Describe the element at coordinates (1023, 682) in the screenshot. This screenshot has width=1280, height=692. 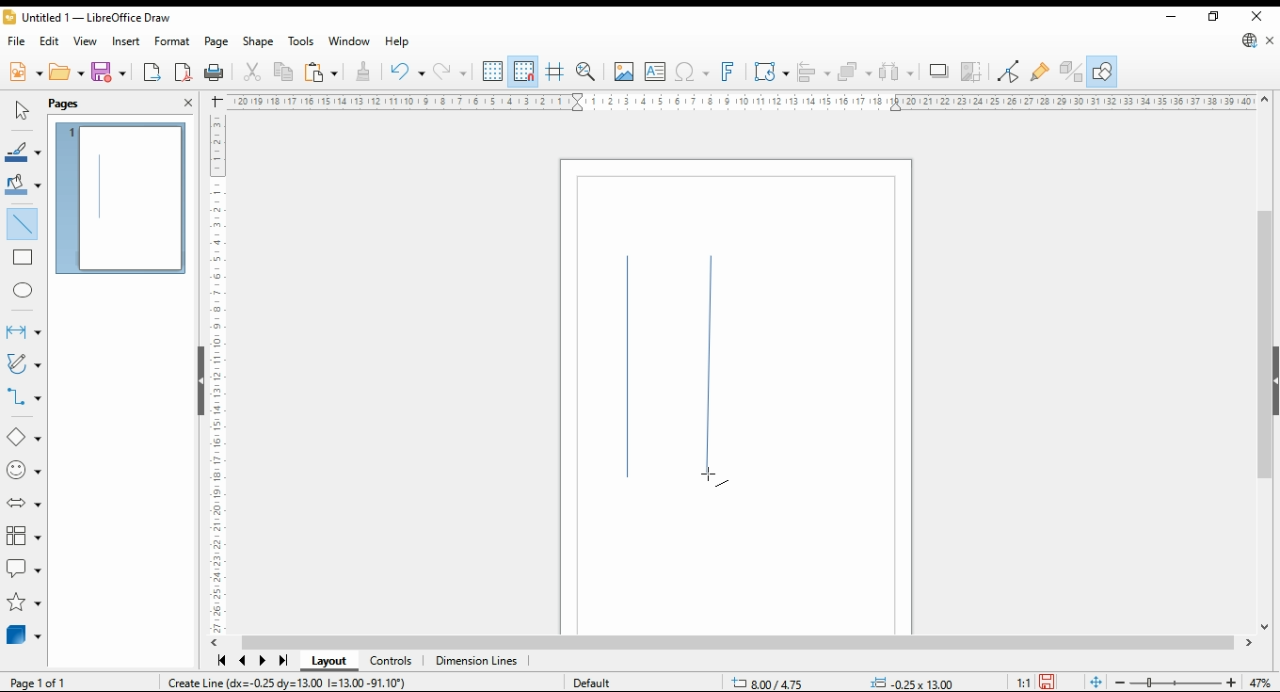
I see `1:1` at that location.